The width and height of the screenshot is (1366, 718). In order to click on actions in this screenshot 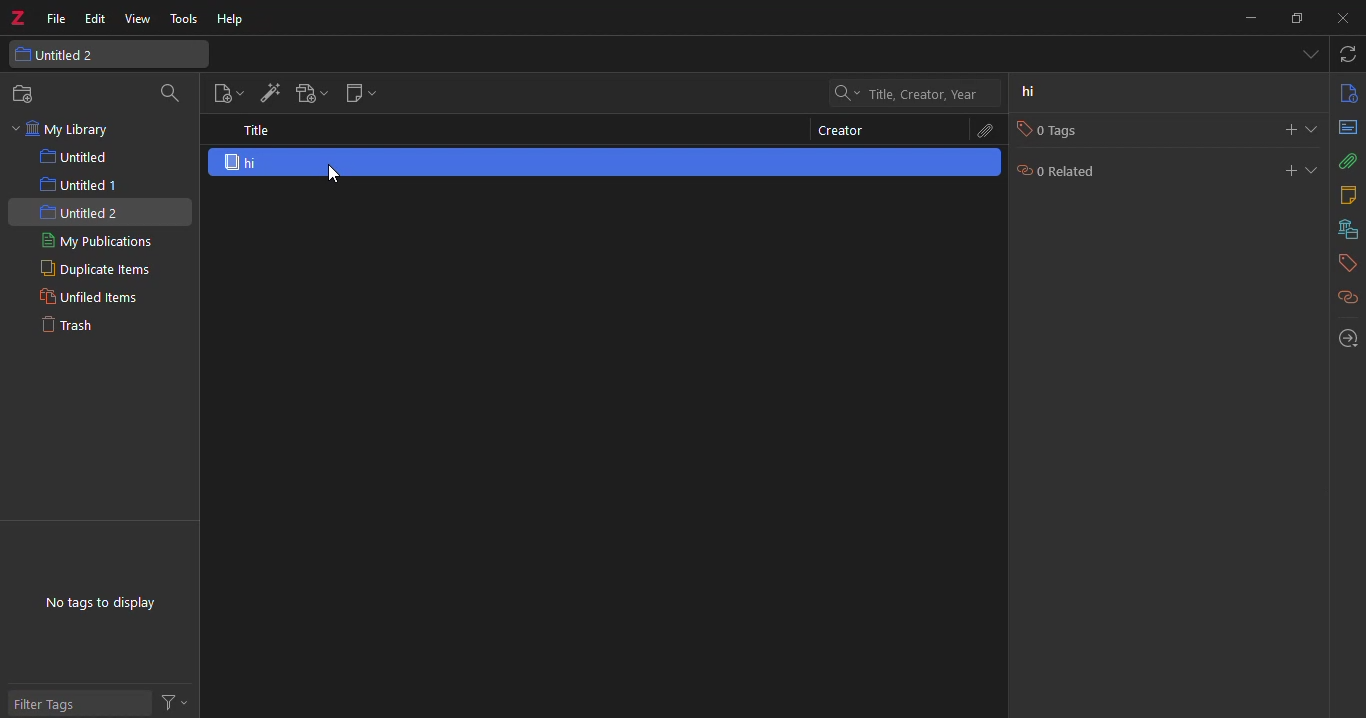, I will do `click(179, 701)`.